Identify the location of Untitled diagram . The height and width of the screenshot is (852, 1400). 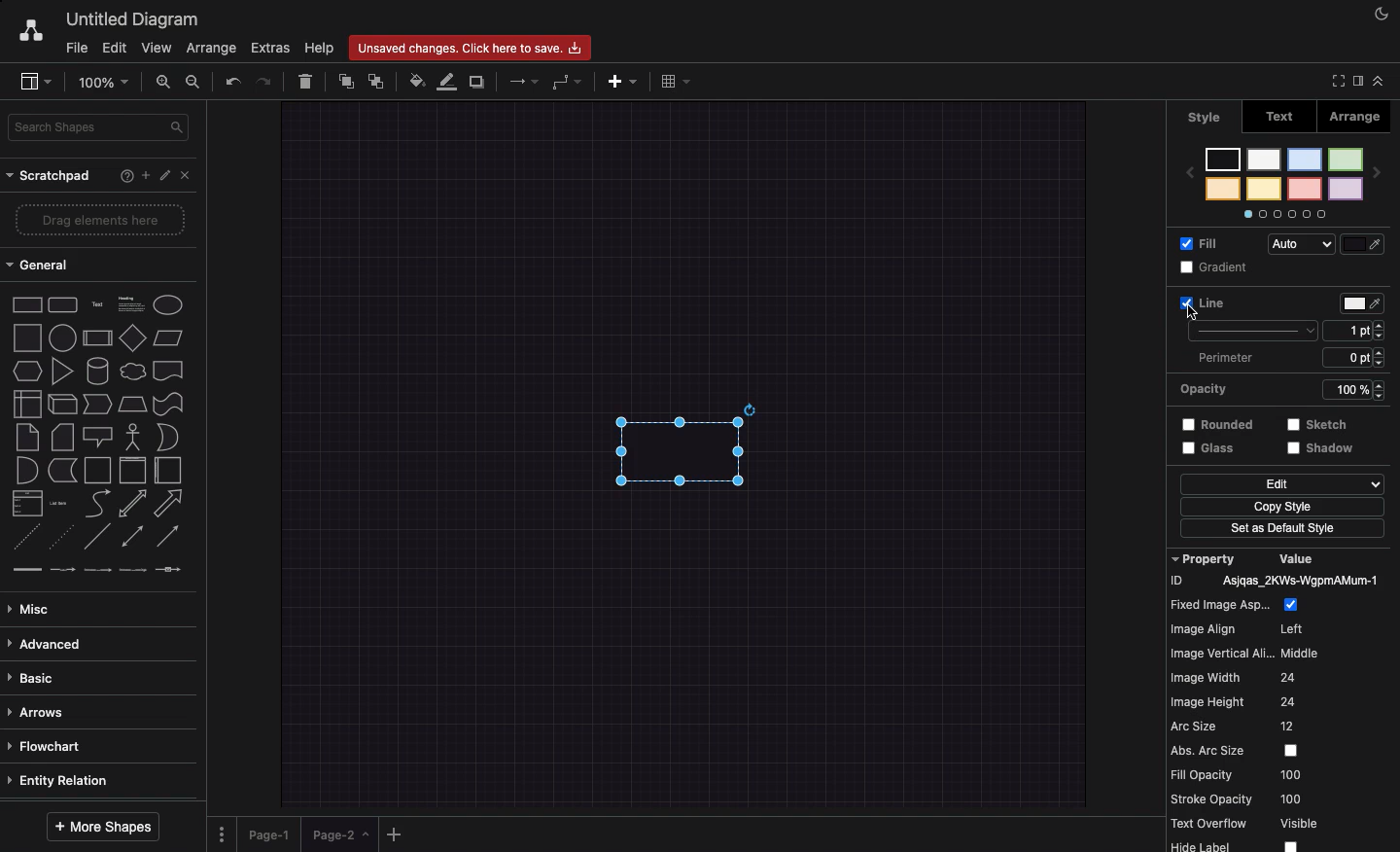
(134, 17).